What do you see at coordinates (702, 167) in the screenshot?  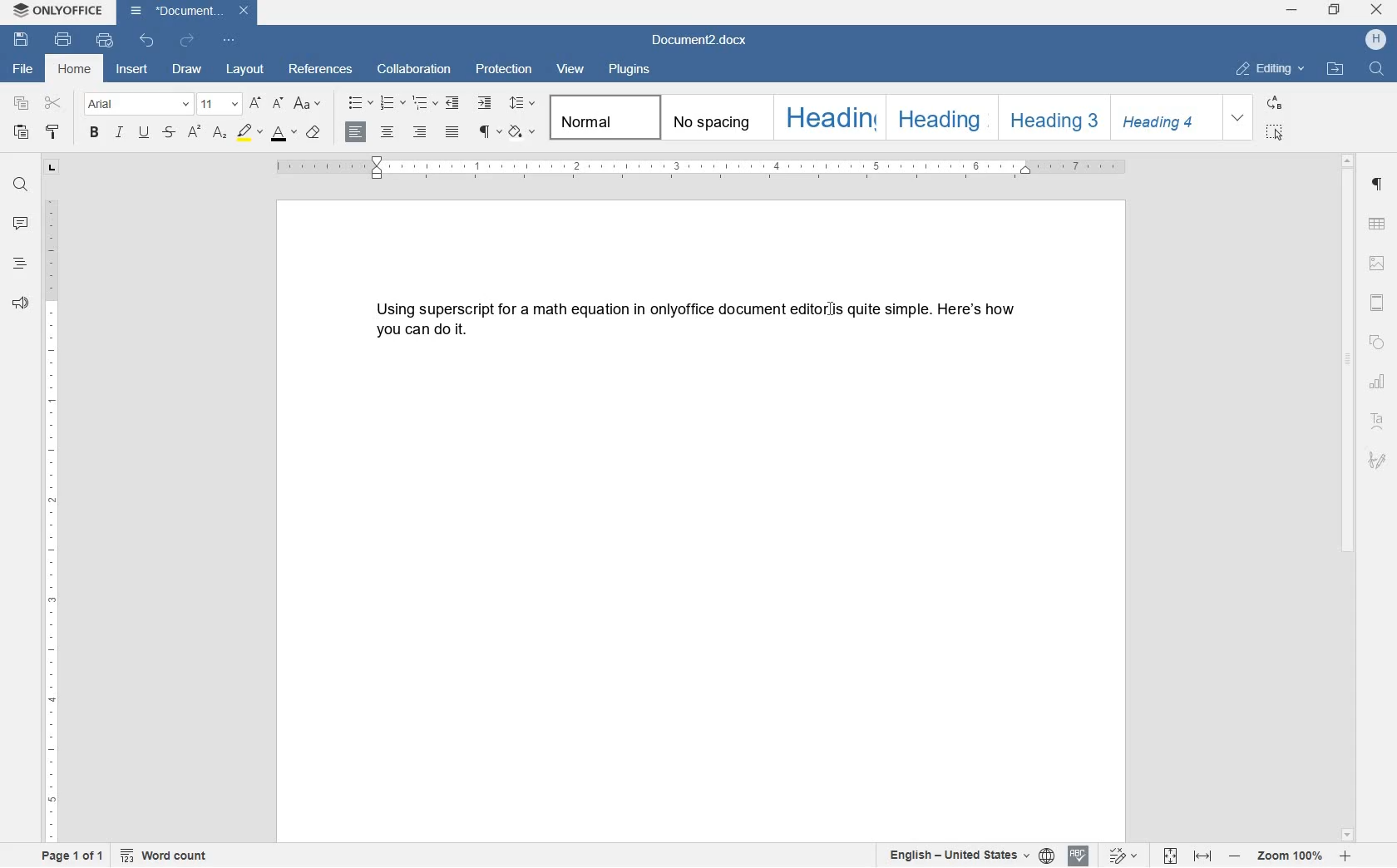 I see `ruler` at bounding box center [702, 167].